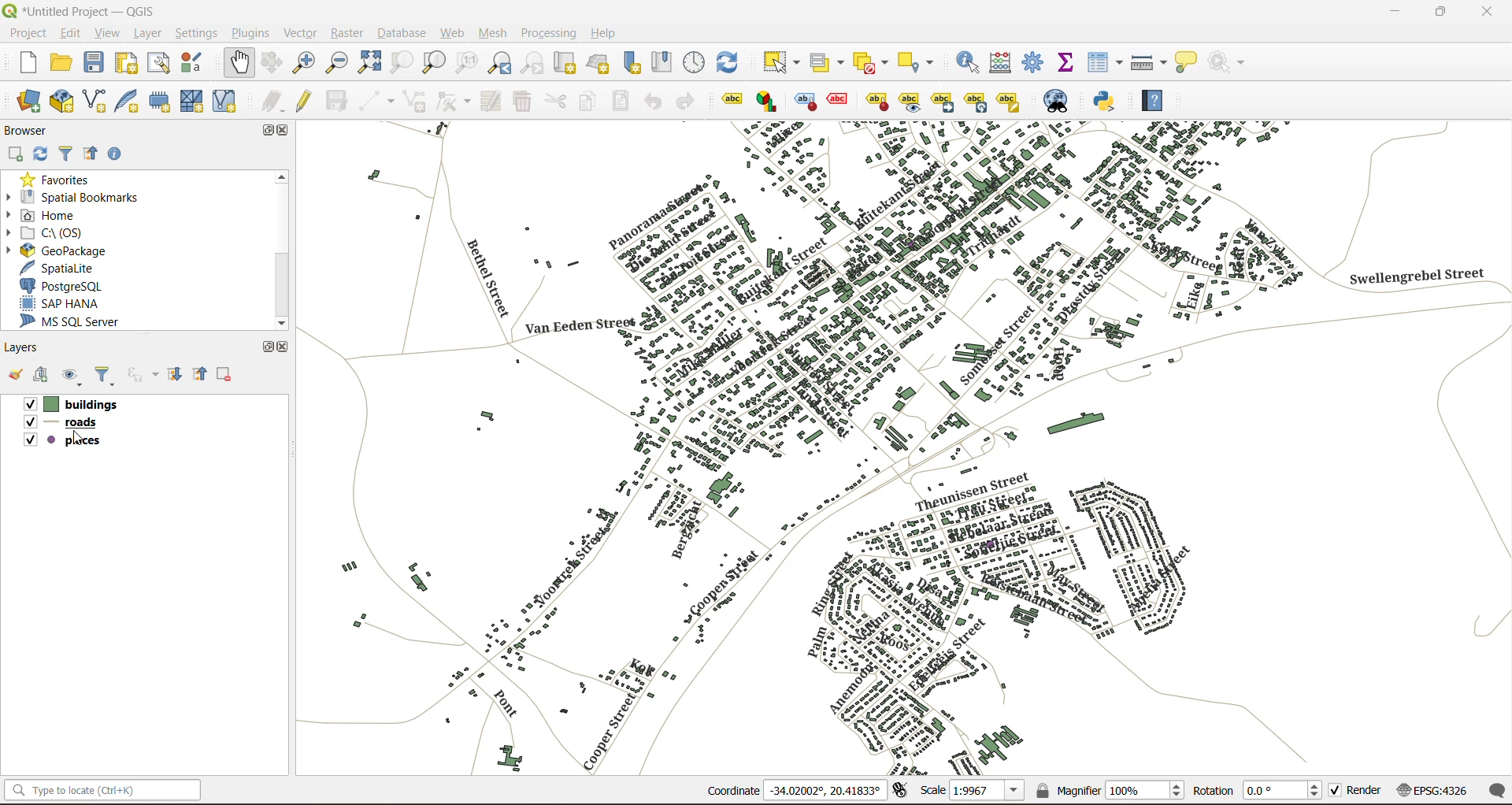 Image resolution: width=1512 pixels, height=805 pixels. What do you see at coordinates (1493, 791) in the screenshot?
I see `log messages` at bounding box center [1493, 791].